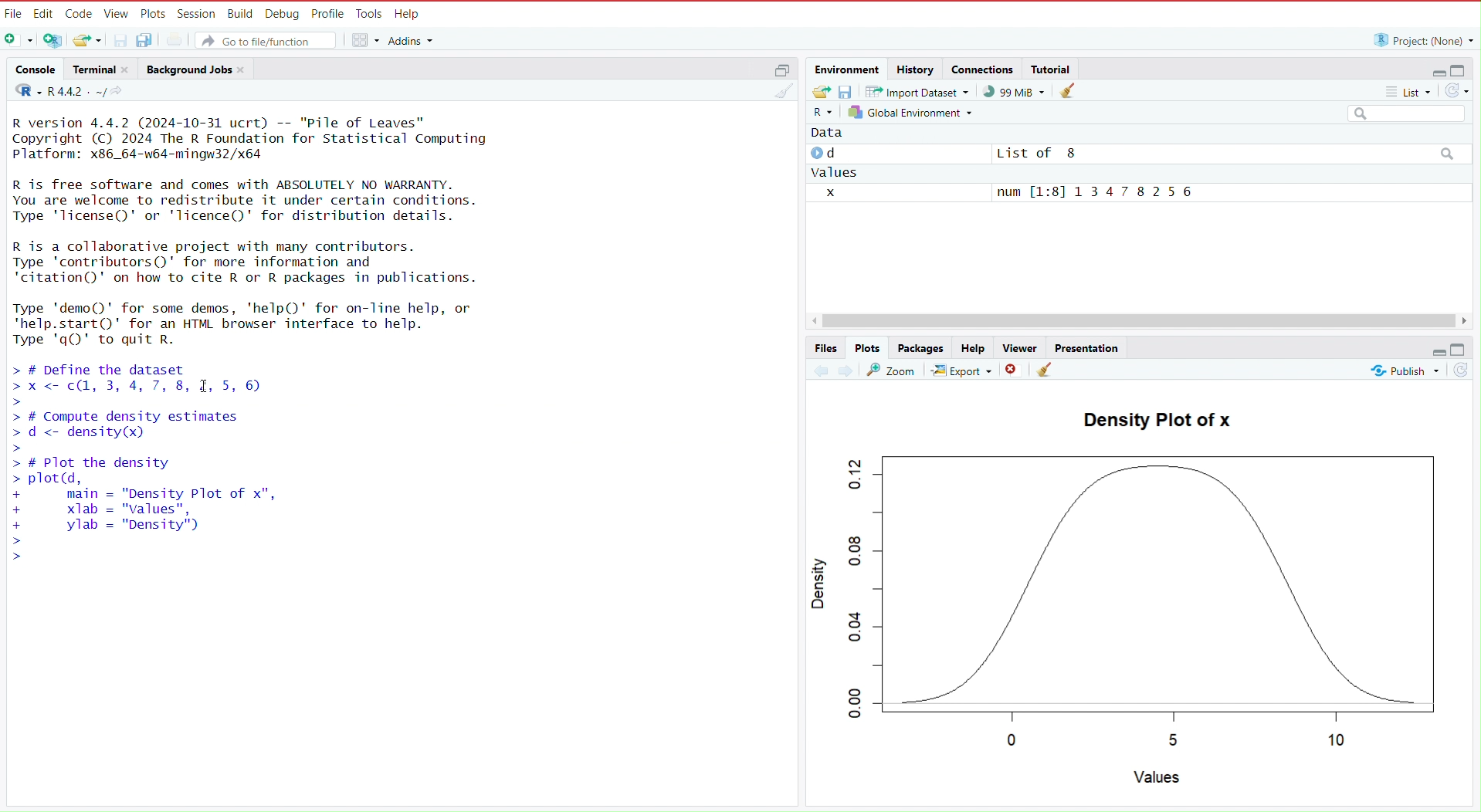 The width and height of the screenshot is (1481, 812). Describe the element at coordinates (129, 69) in the screenshot. I see `close` at that location.